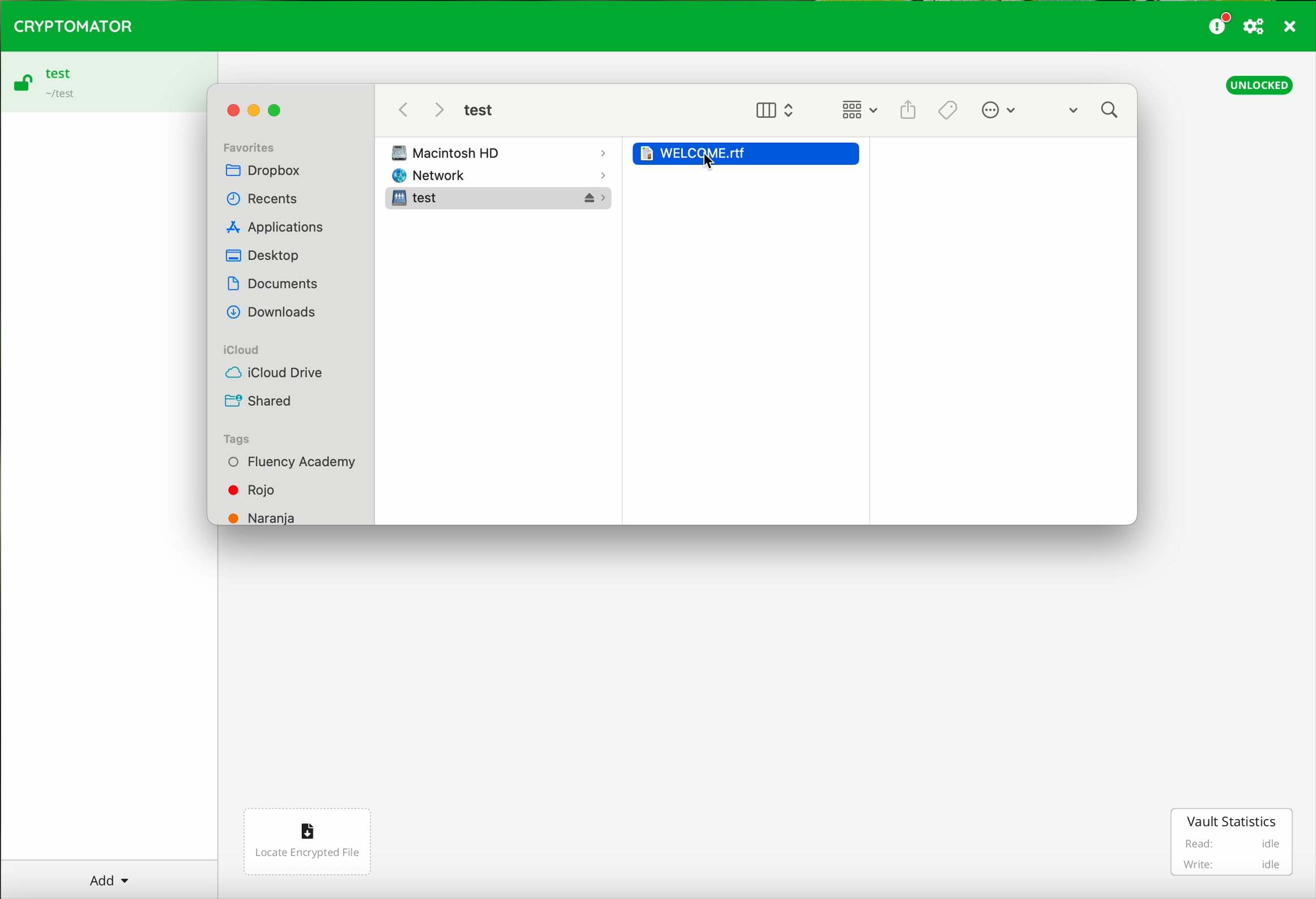  I want to click on iCloud, so click(242, 350).